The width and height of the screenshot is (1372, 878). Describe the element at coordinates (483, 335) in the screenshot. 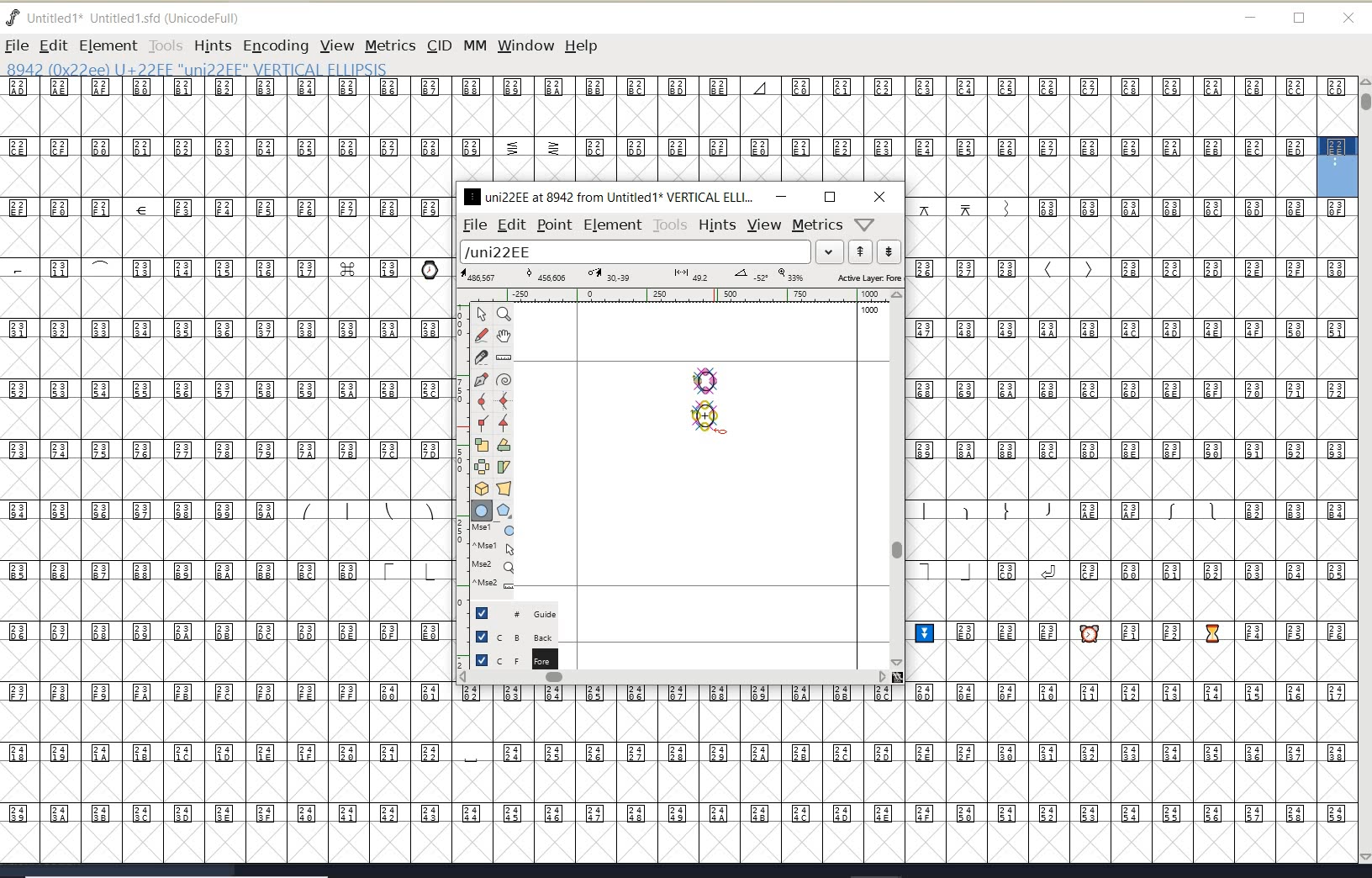

I see `draw a freehand curve` at that location.